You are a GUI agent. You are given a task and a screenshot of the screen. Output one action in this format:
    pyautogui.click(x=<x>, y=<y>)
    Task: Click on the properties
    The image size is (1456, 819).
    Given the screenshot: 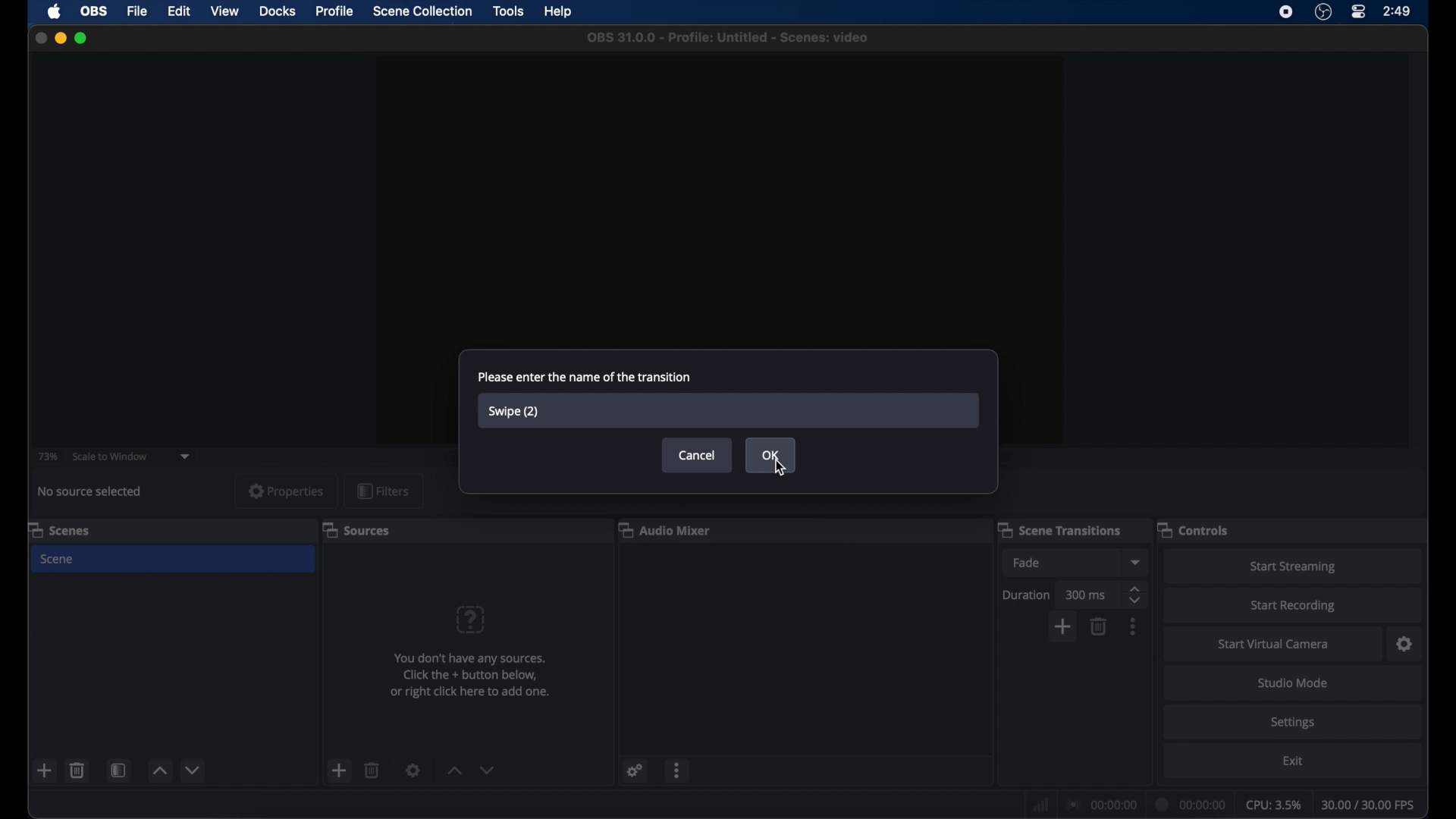 What is the action you would take?
    pyautogui.click(x=287, y=491)
    